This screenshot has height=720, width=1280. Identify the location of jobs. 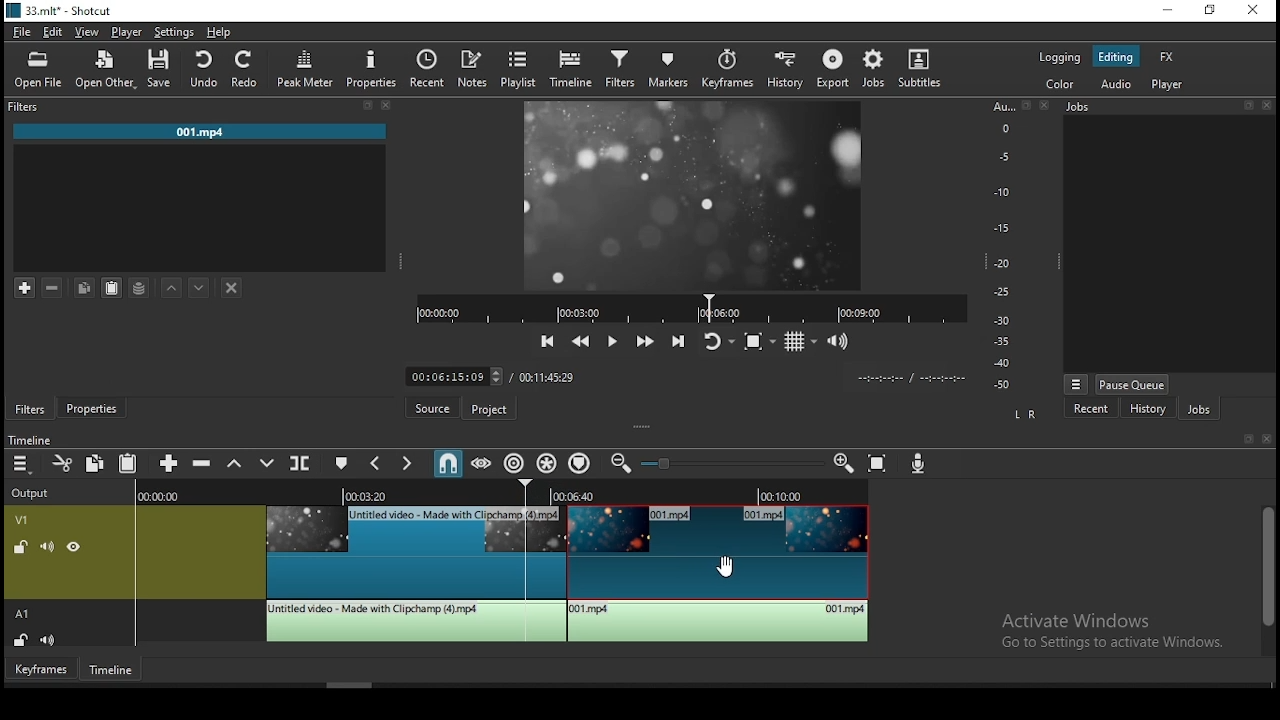
(878, 68).